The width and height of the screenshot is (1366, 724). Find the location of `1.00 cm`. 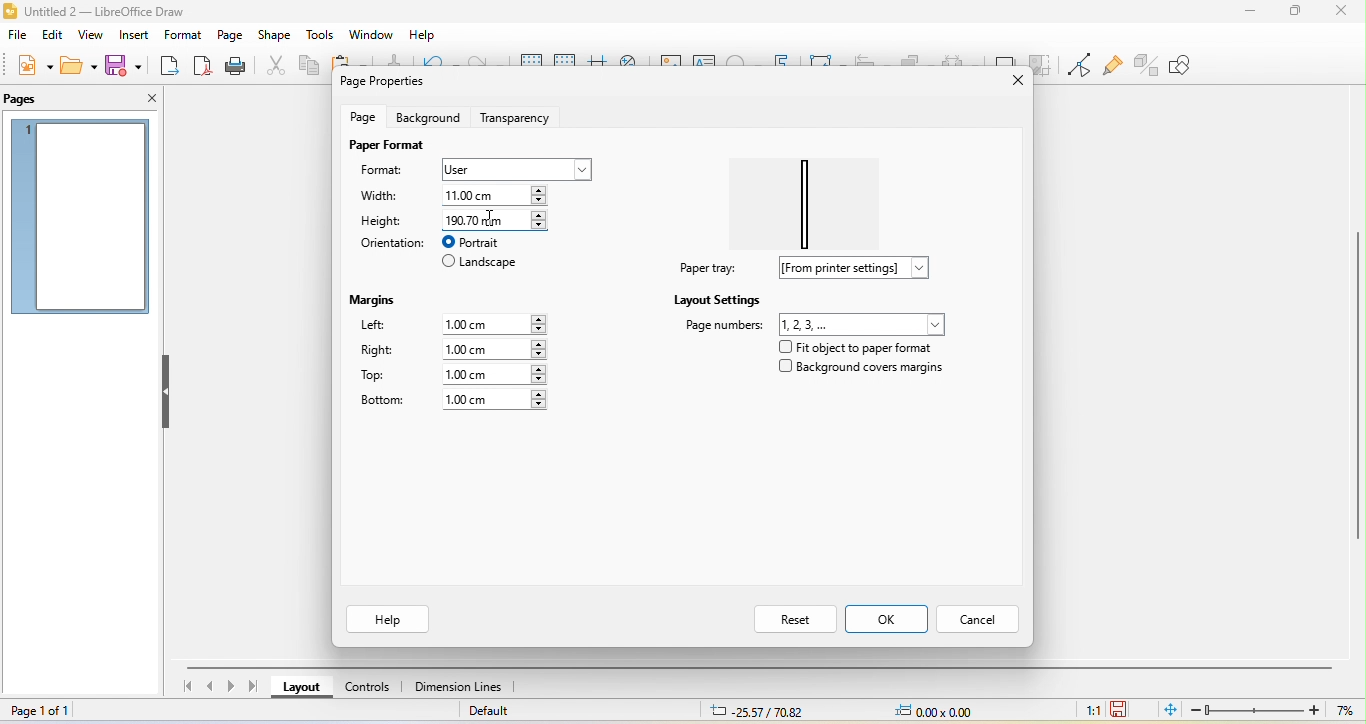

1.00 cm is located at coordinates (498, 322).